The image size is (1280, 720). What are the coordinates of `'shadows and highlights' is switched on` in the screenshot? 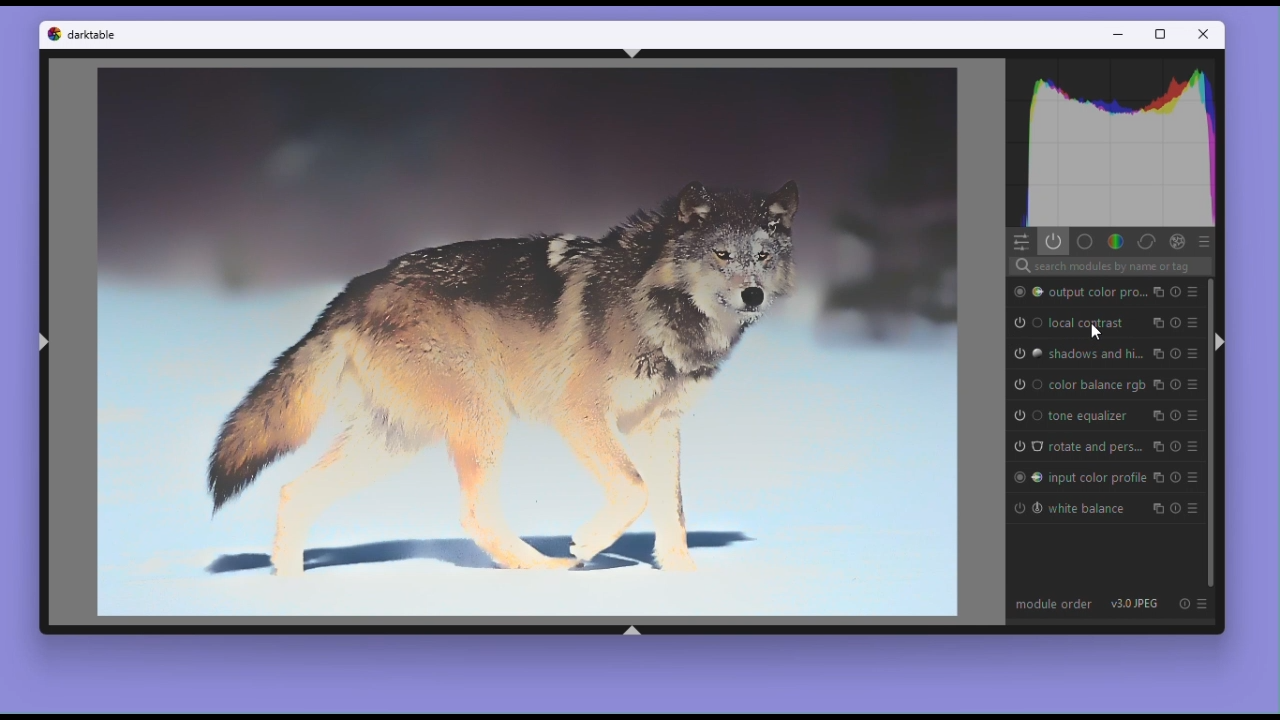 It's located at (1026, 354).